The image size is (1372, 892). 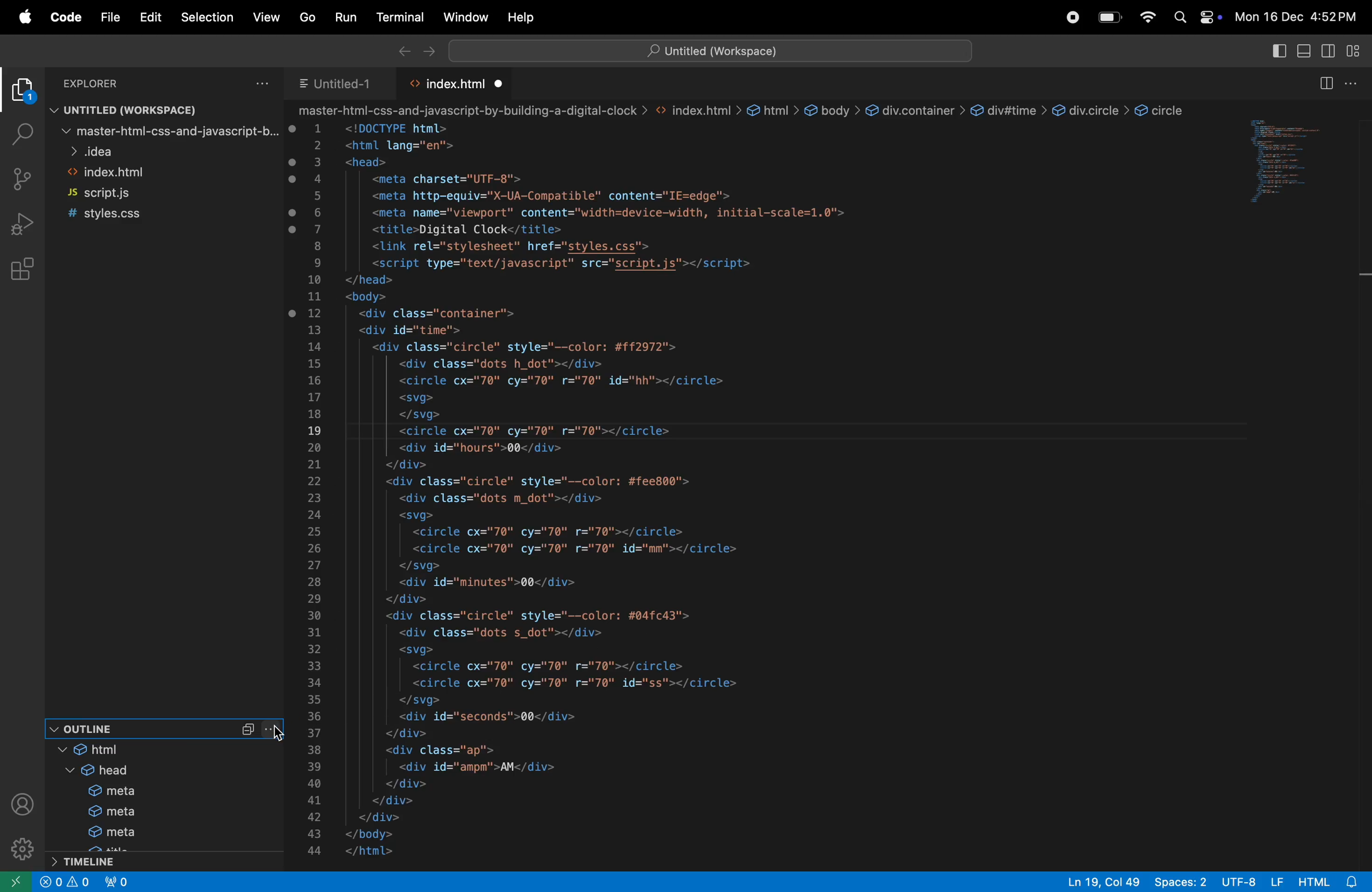 What do you see at coordinates (1152, 17) in the screenshot?
I see `wifi` at bounding box center [1152, 17].